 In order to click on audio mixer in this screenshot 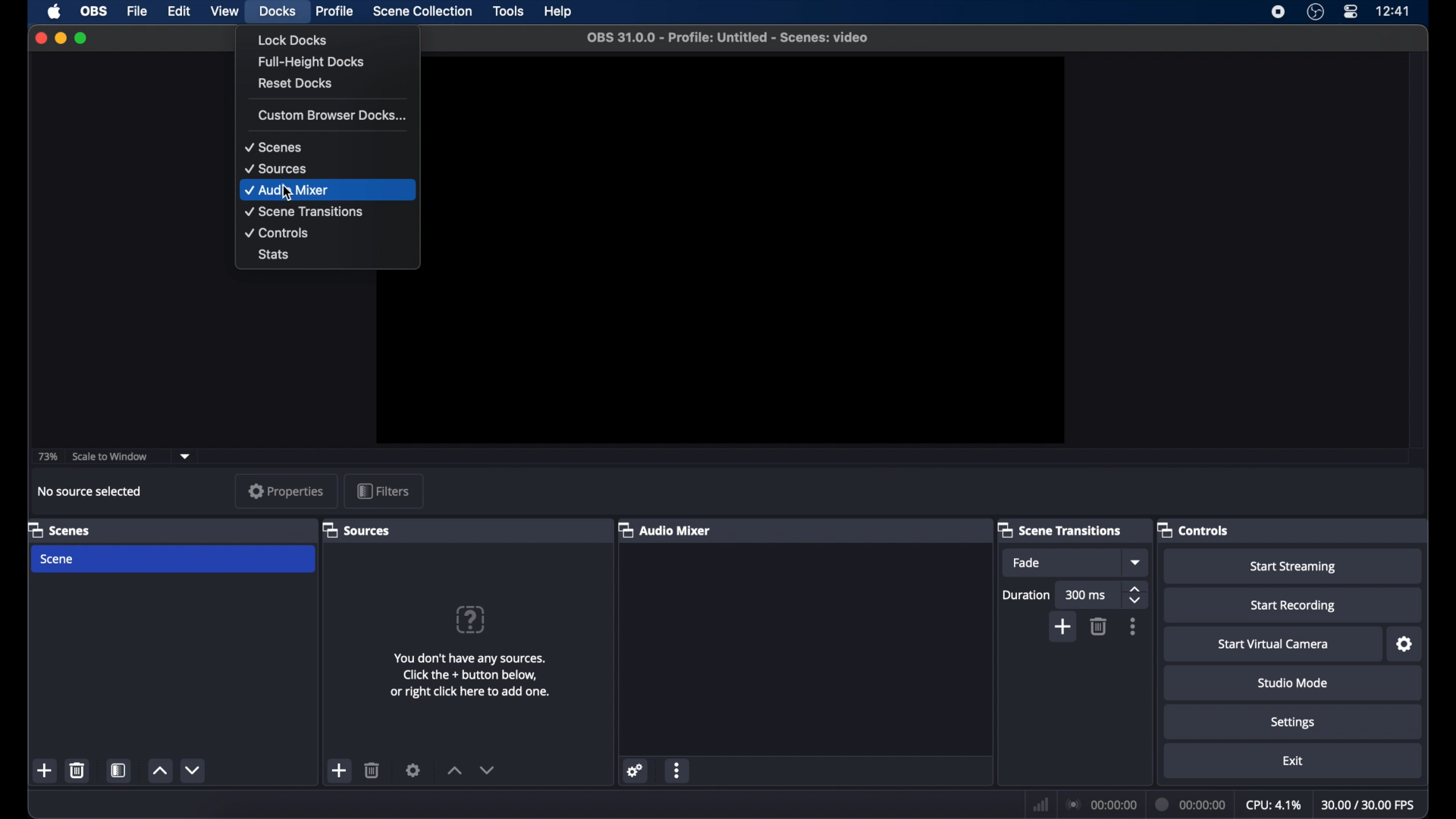, I will do `click(288, 190)`.